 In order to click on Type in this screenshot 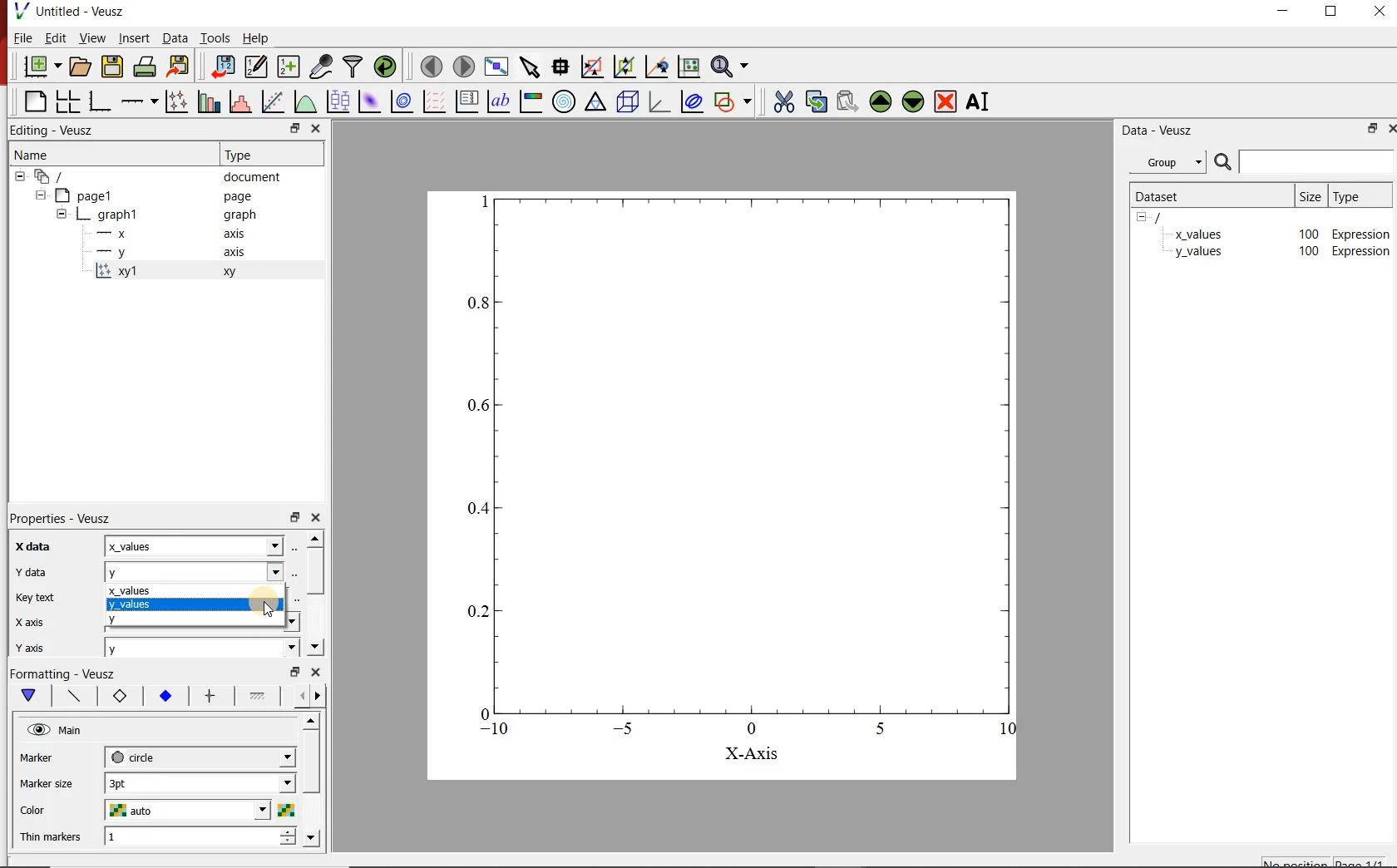, I will do `click(250, 155)`.